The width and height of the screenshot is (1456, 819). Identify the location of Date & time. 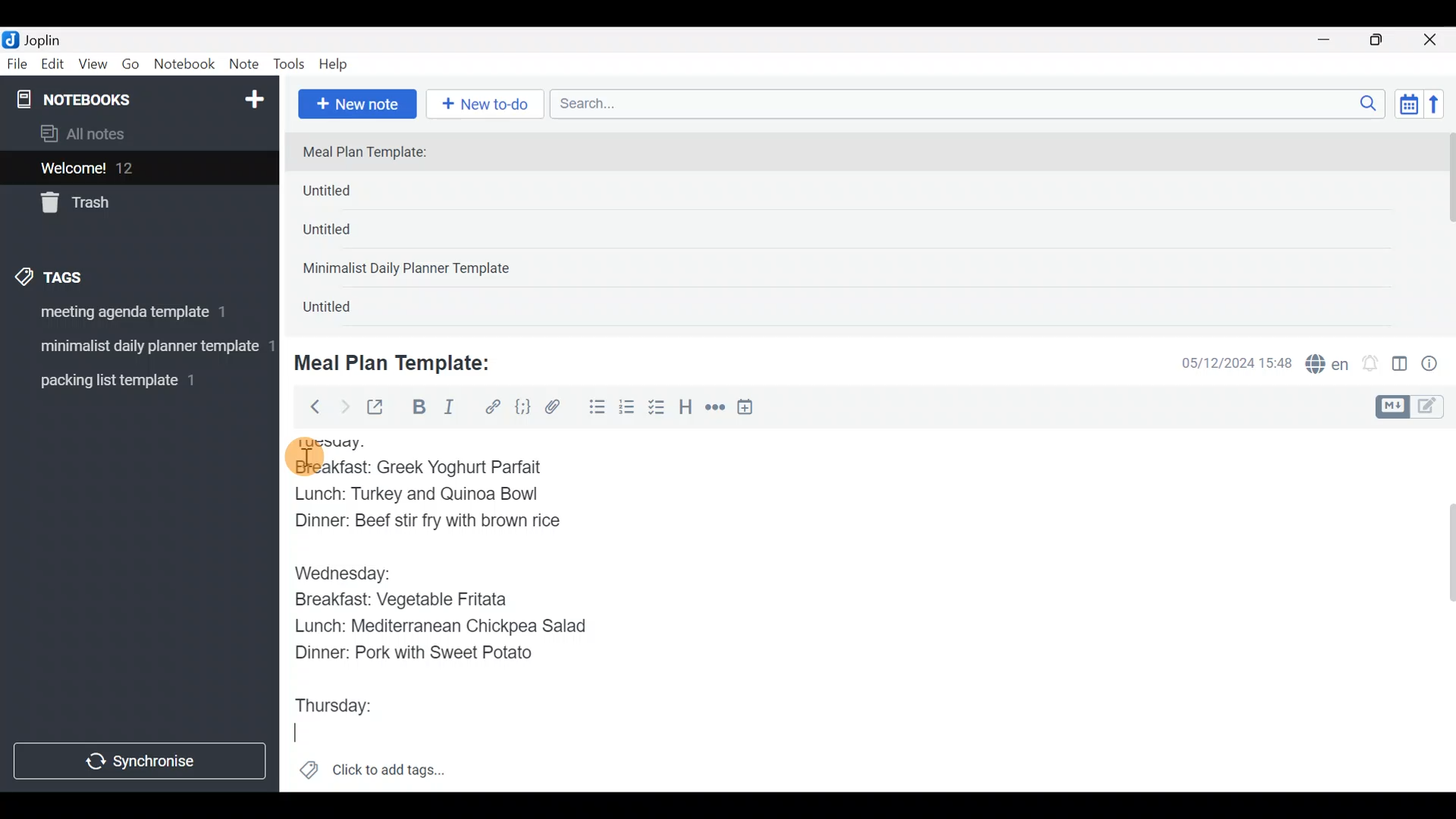
(1225, 362).